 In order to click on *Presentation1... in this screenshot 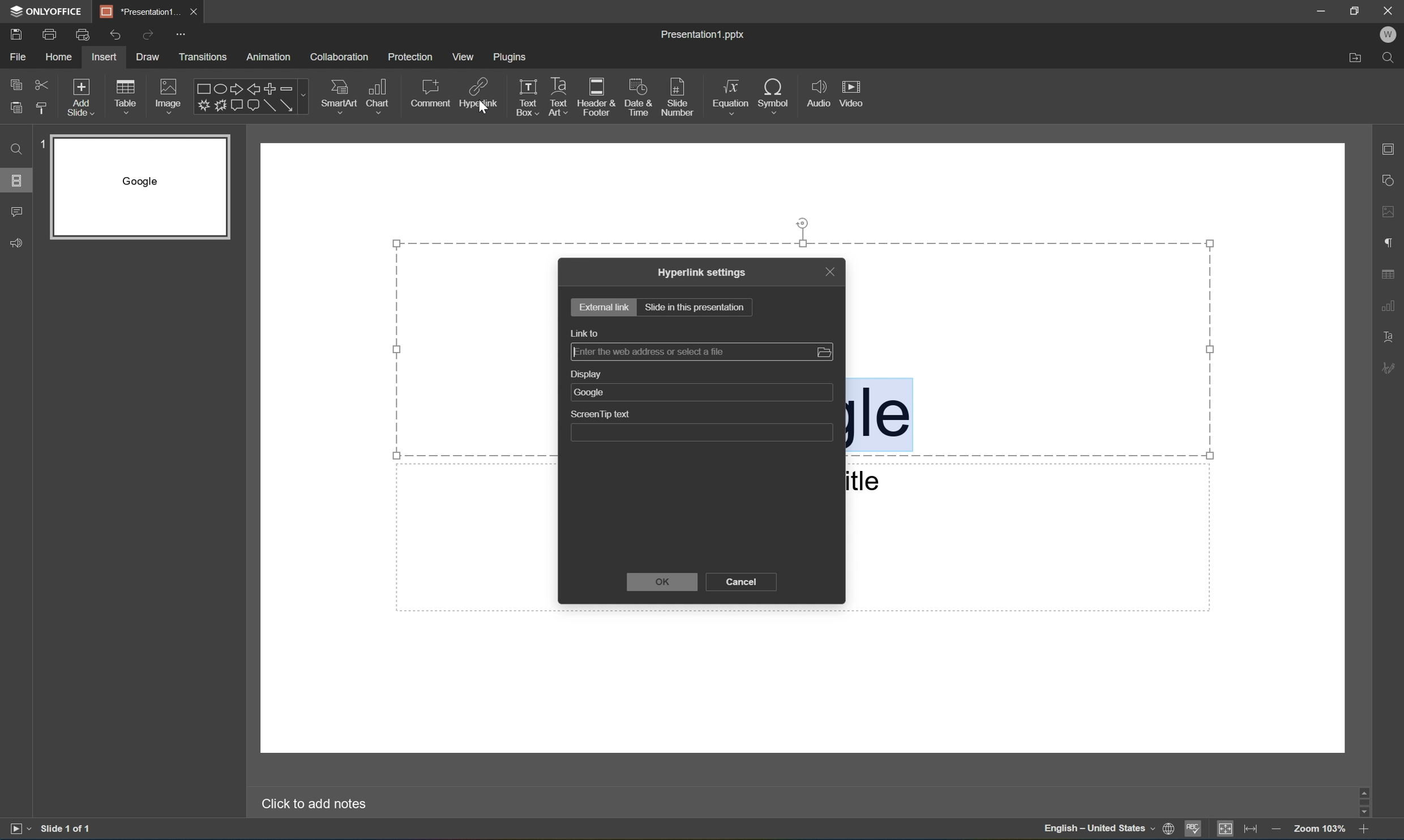, I will do `click(139, 9)`.